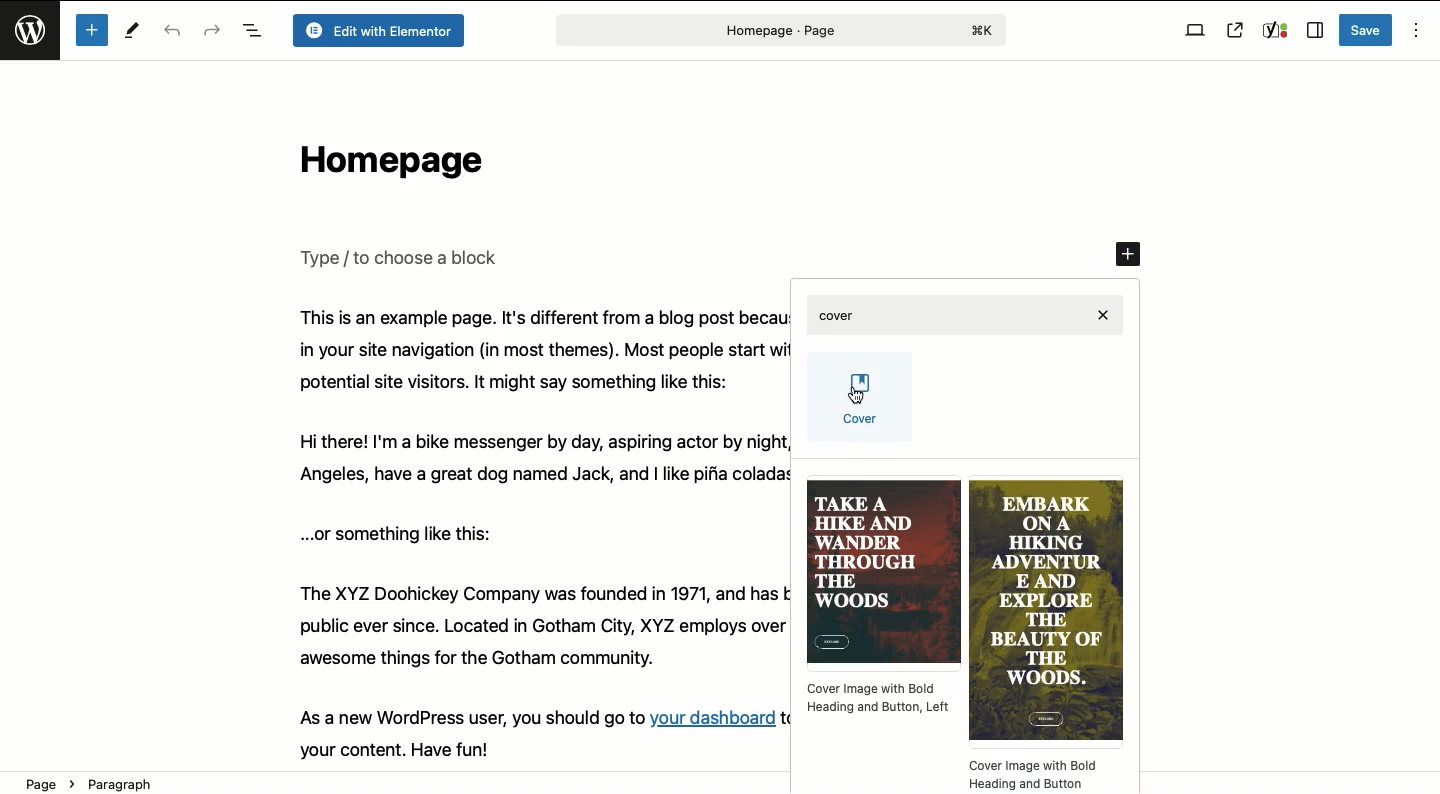 The width and height of the screenshot is (1440, 794). What do you see at coordinates (778, 30) in the screenshot?
I see `Page` at bounding box center [778, 30].